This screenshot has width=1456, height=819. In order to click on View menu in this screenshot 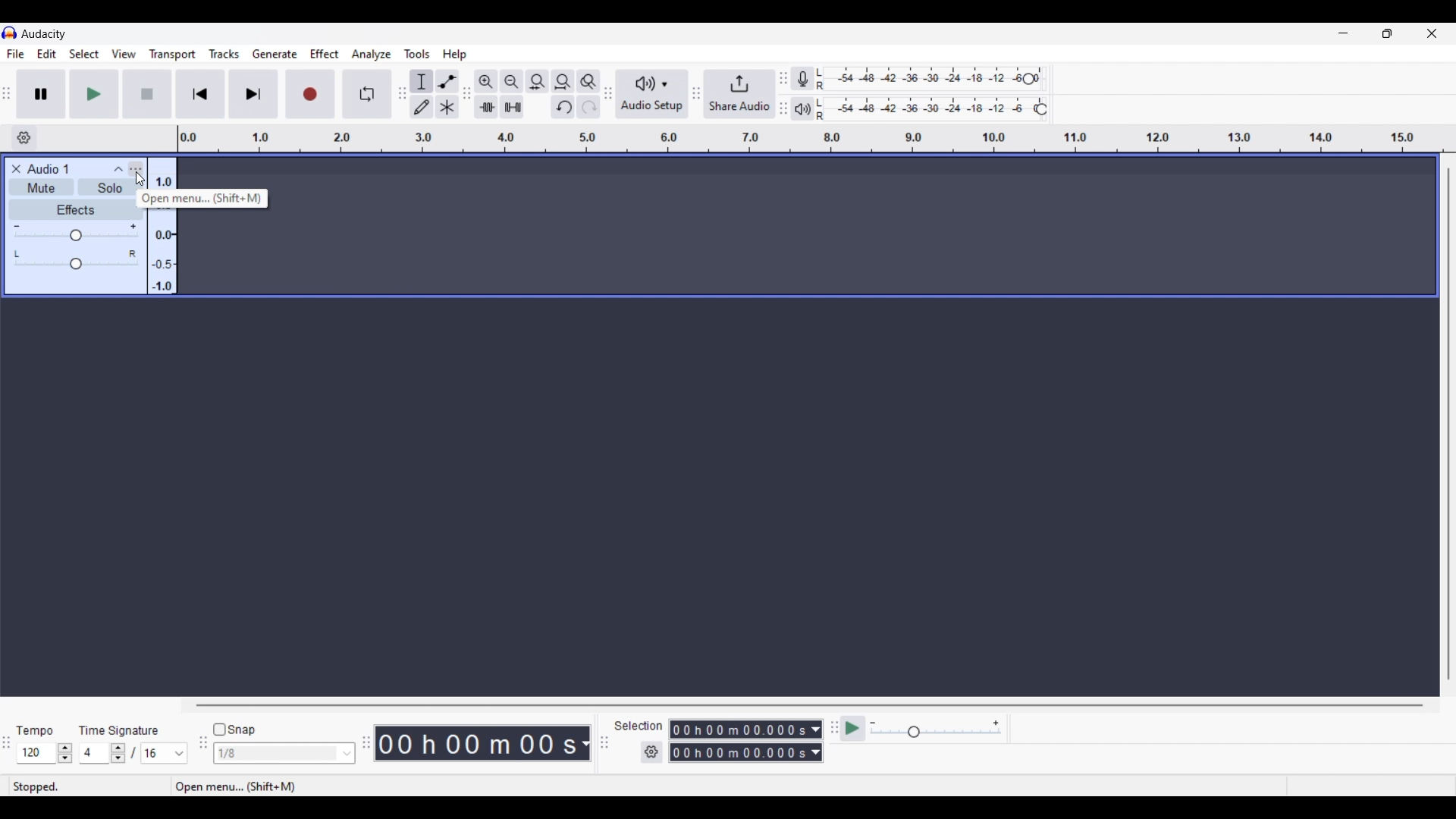, I will do `click(124, 54)`.